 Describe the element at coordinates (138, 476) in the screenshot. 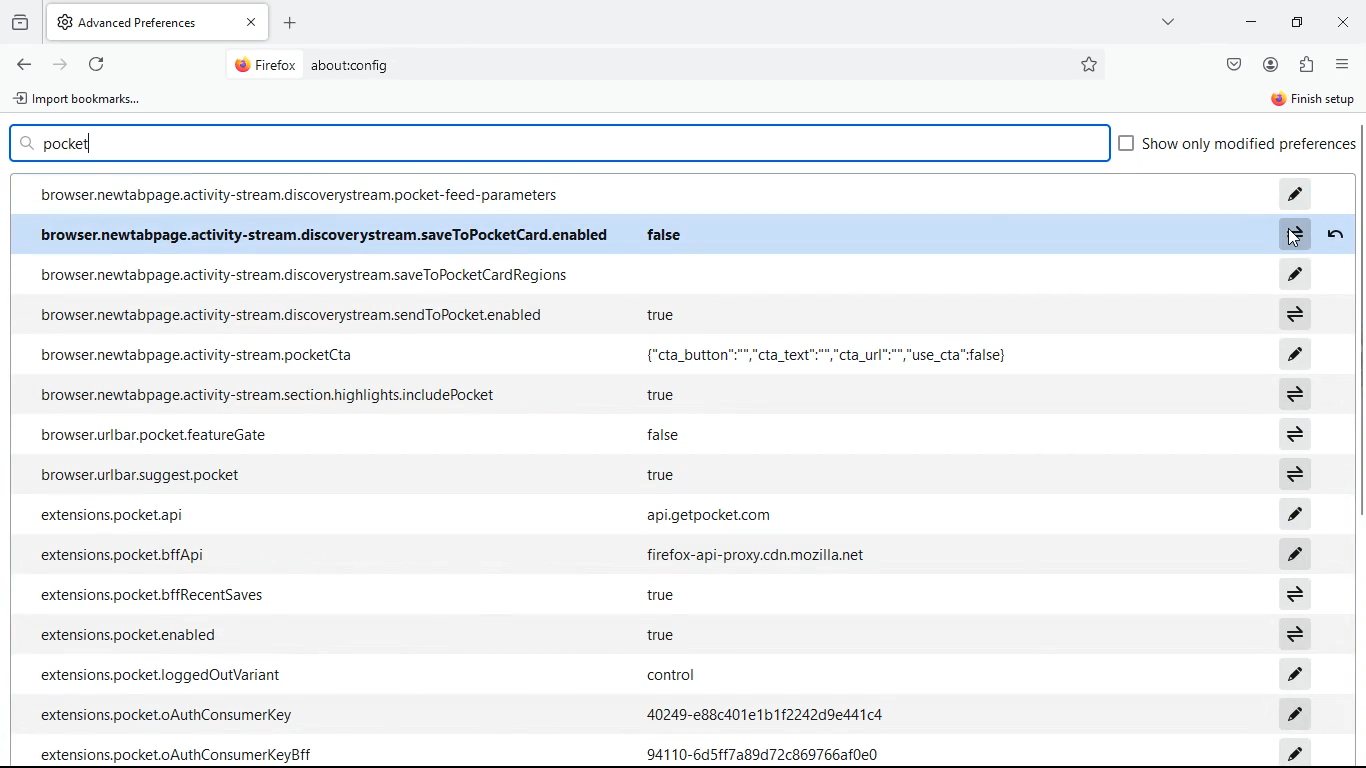

I see `browser.urlbar.suggest.pocket` at that location.